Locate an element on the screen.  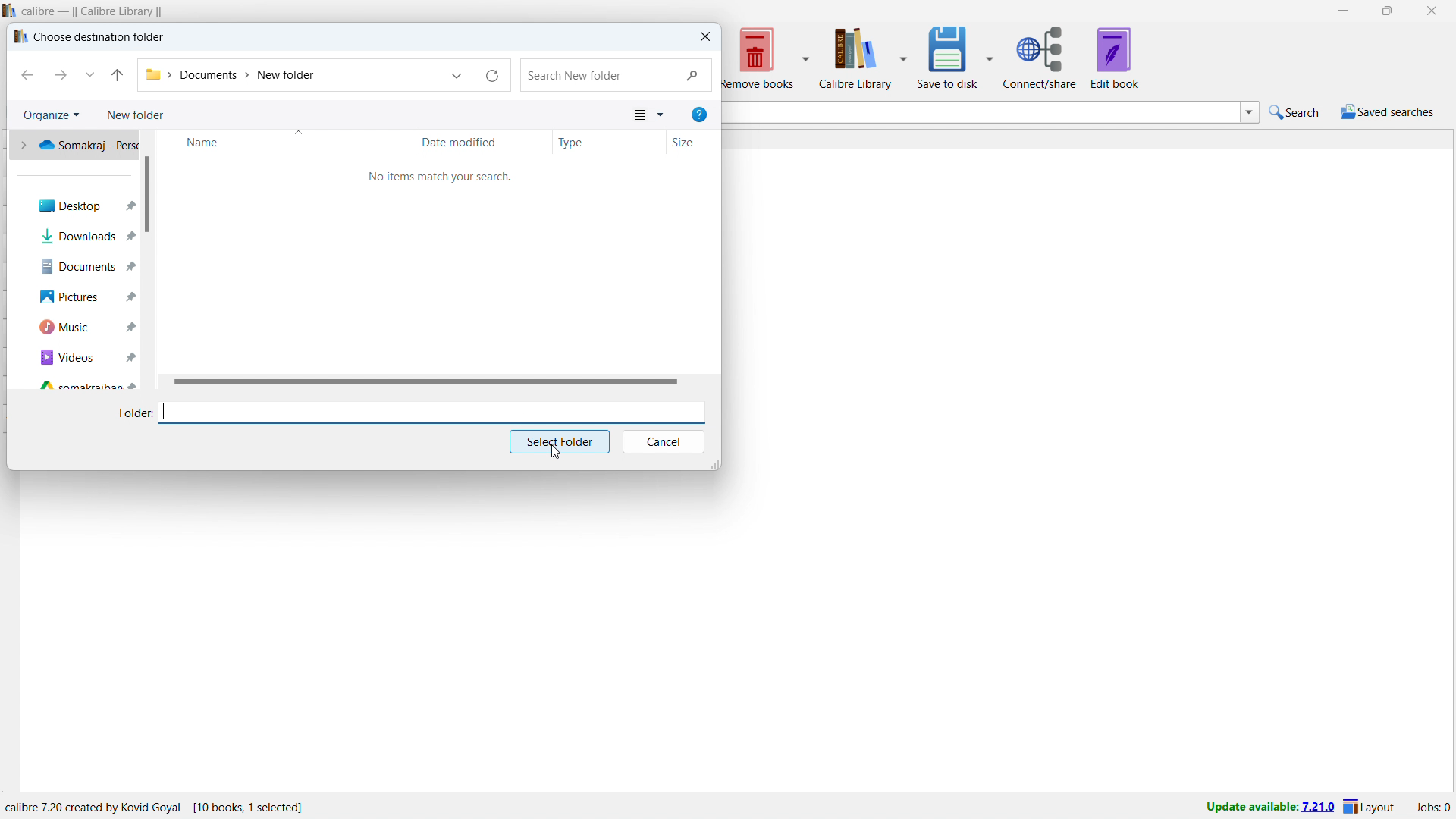
no items match your search is located at coordinates (441, 175).